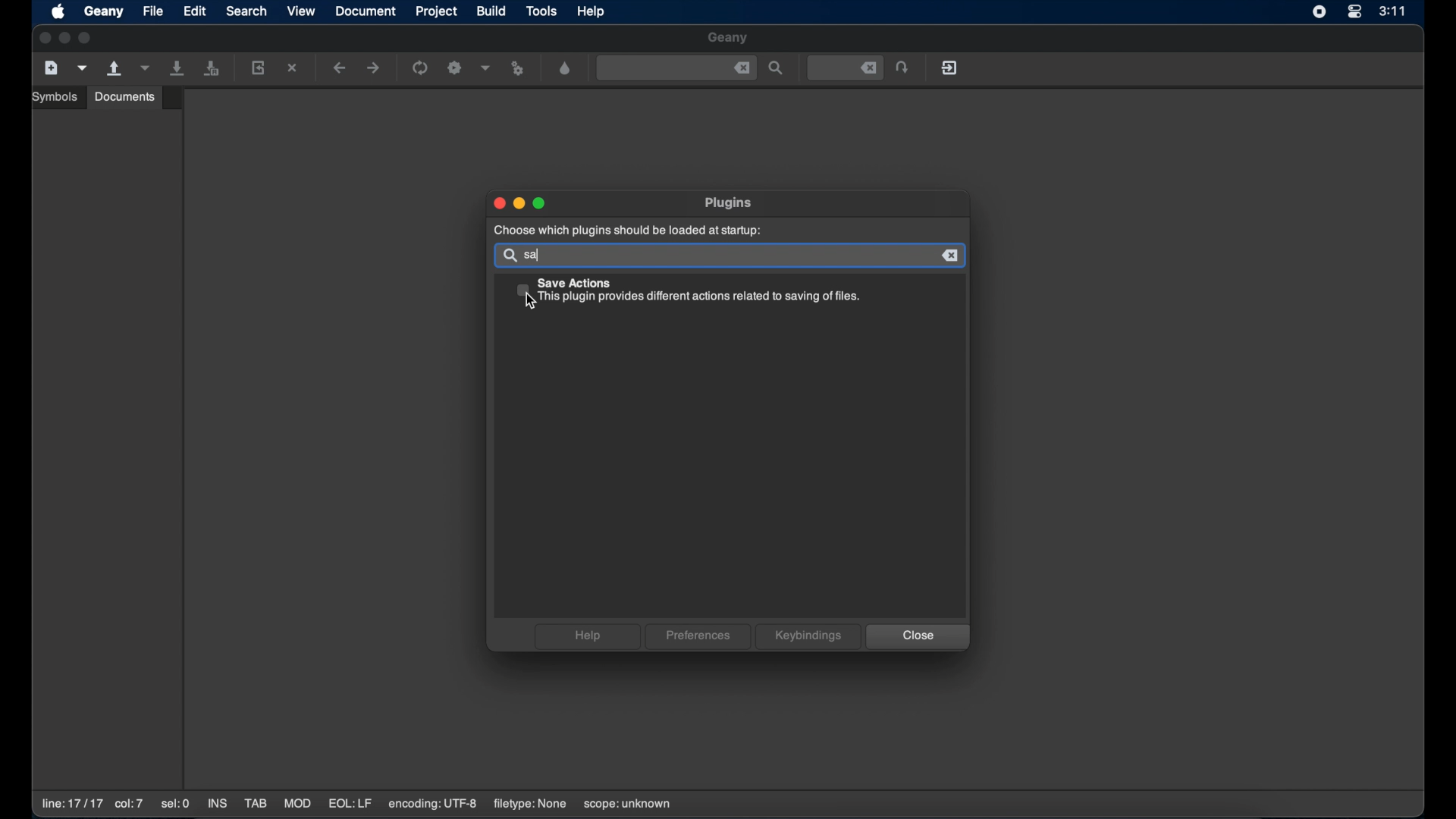 The height and width of the screenshot is (819, 1456). I want to click on maximize, so click(87, 38).